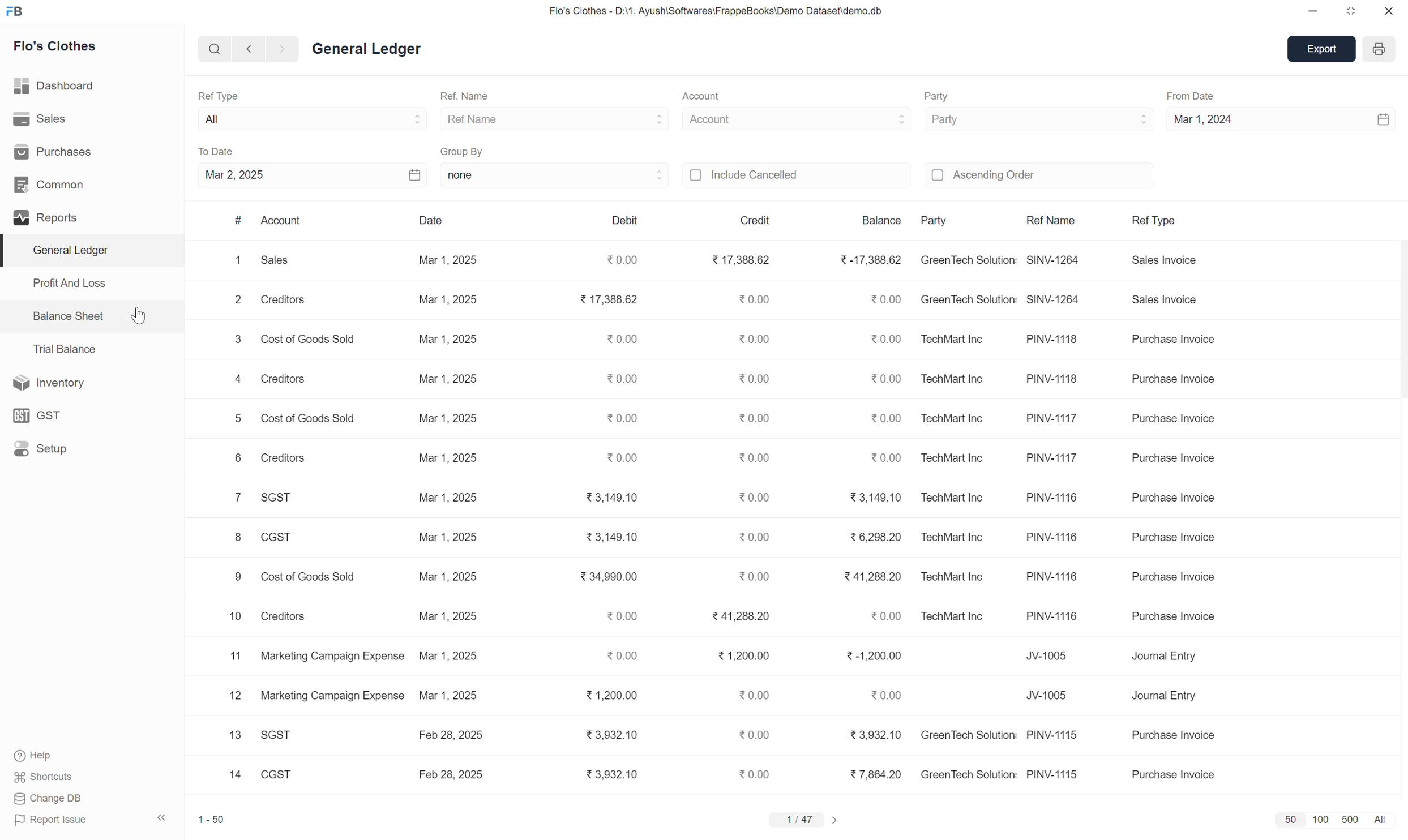 The width and height of the screenshot is (1408, 840). I want to click on 1,200.00, so click(607, 695).